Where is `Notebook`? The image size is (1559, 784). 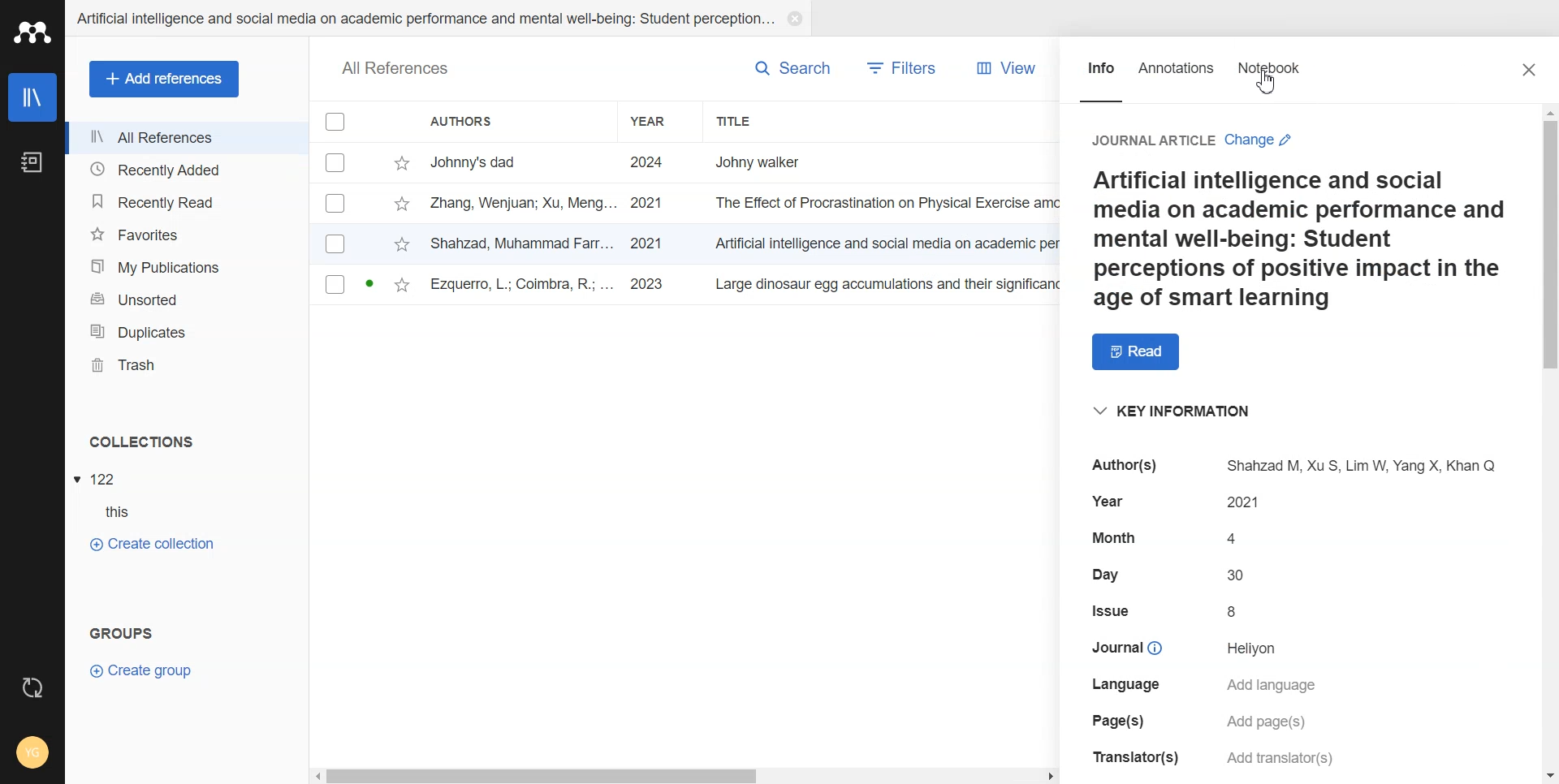
Notebook is located at coordinates (1271, 75).